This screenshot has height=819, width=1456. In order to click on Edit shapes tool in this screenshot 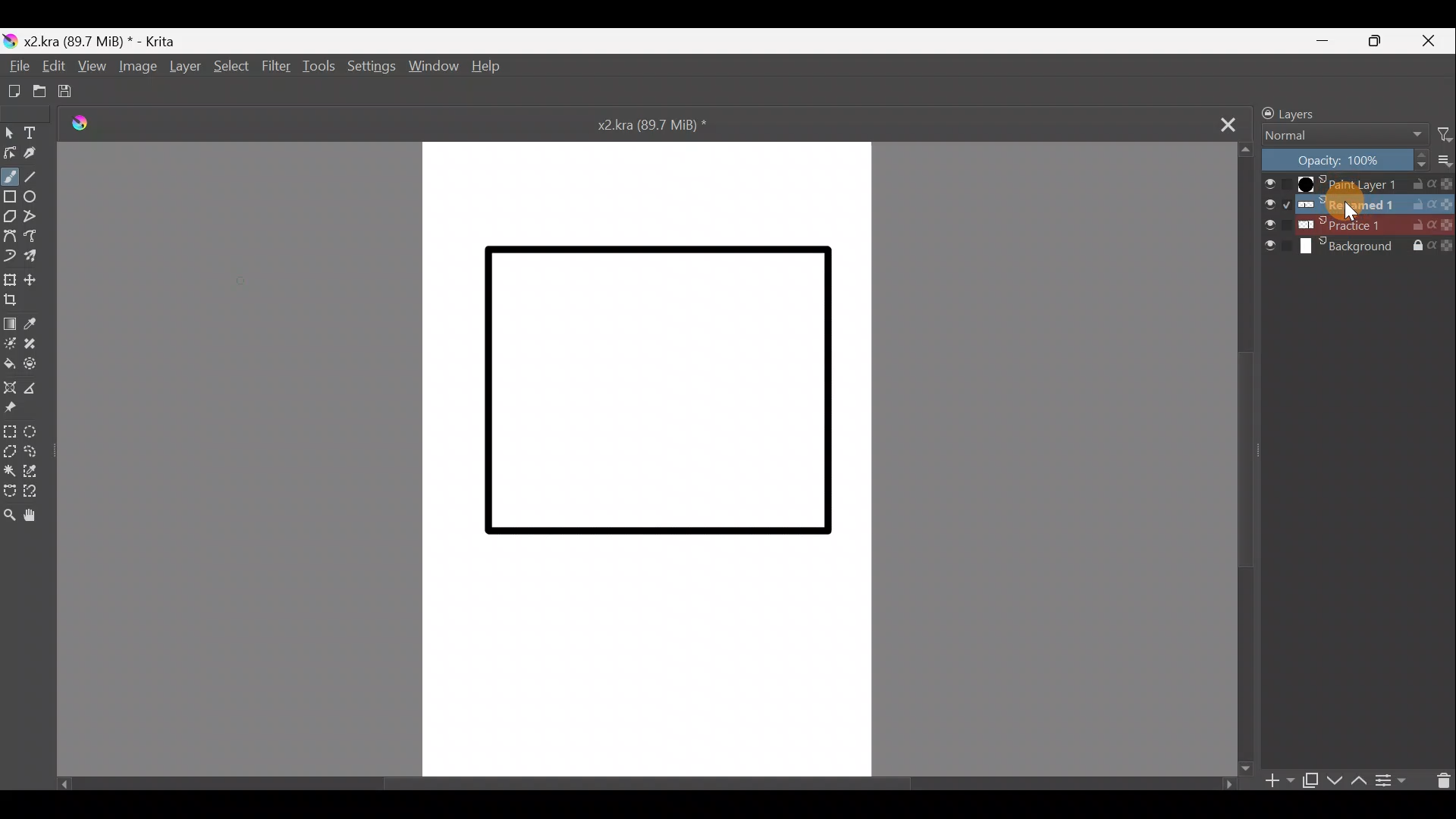, I will do `click(9, 153)`.